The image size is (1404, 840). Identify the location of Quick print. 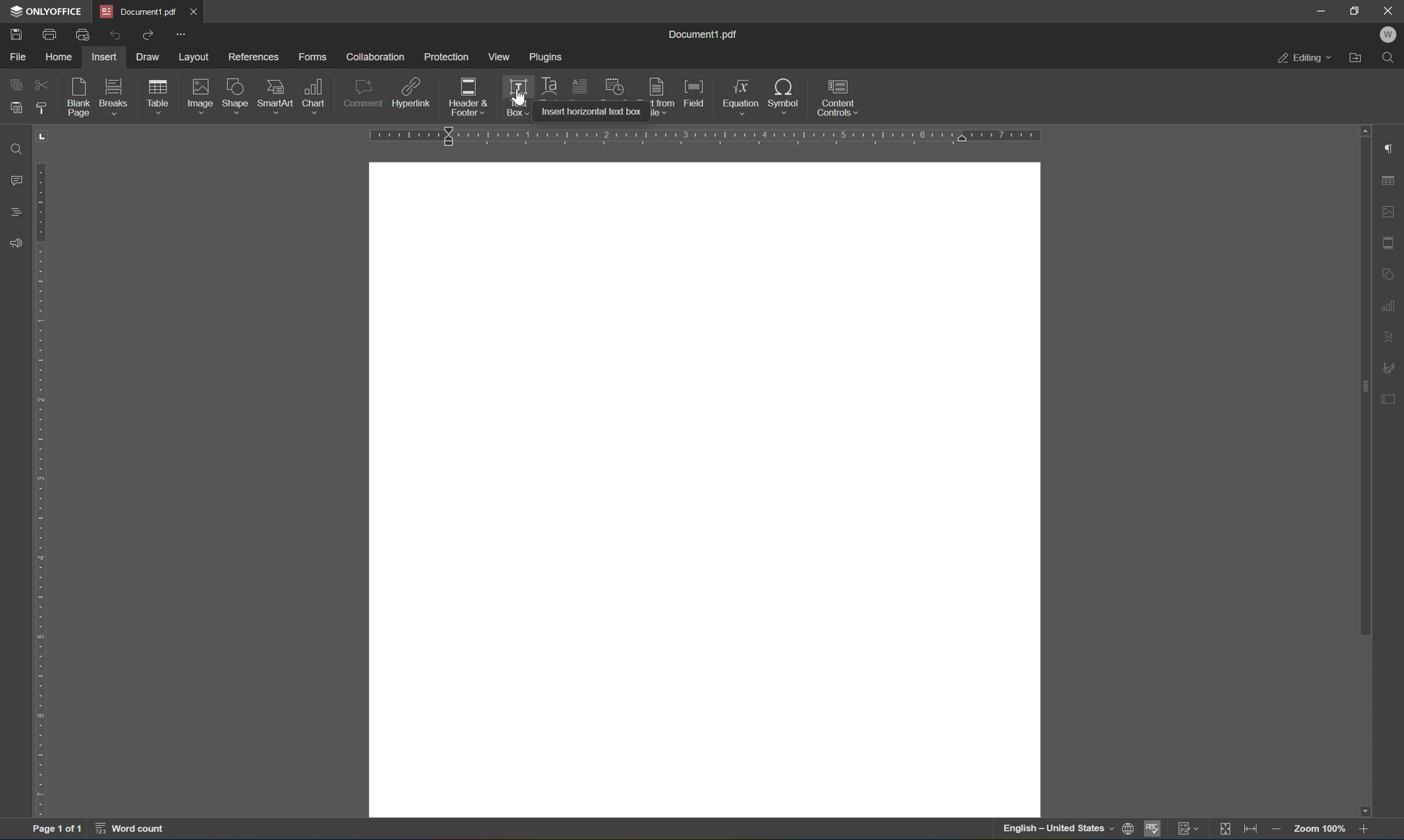
(84, 33).